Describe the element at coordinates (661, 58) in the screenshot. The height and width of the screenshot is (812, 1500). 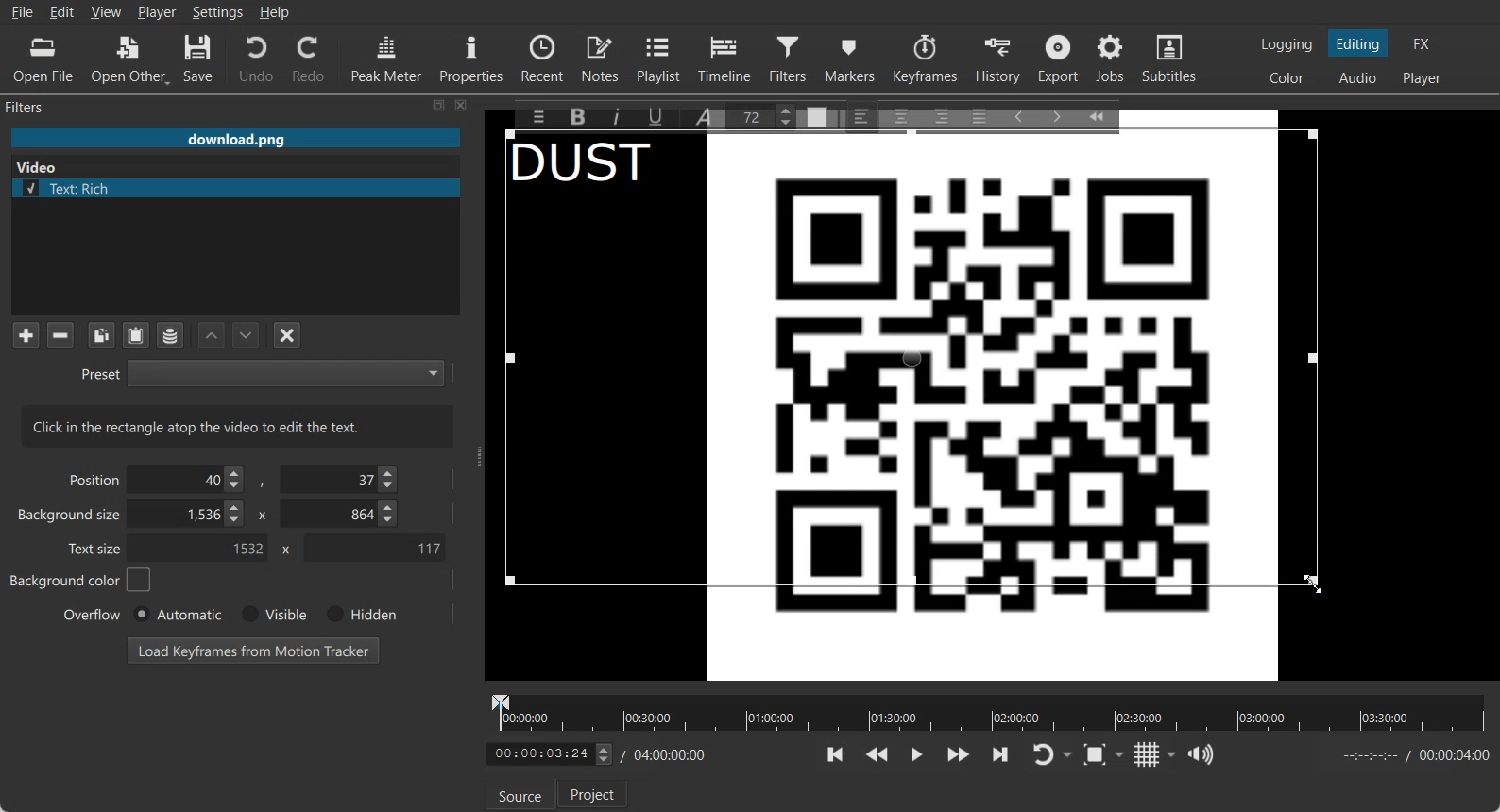
I see `Playlist` at that location.